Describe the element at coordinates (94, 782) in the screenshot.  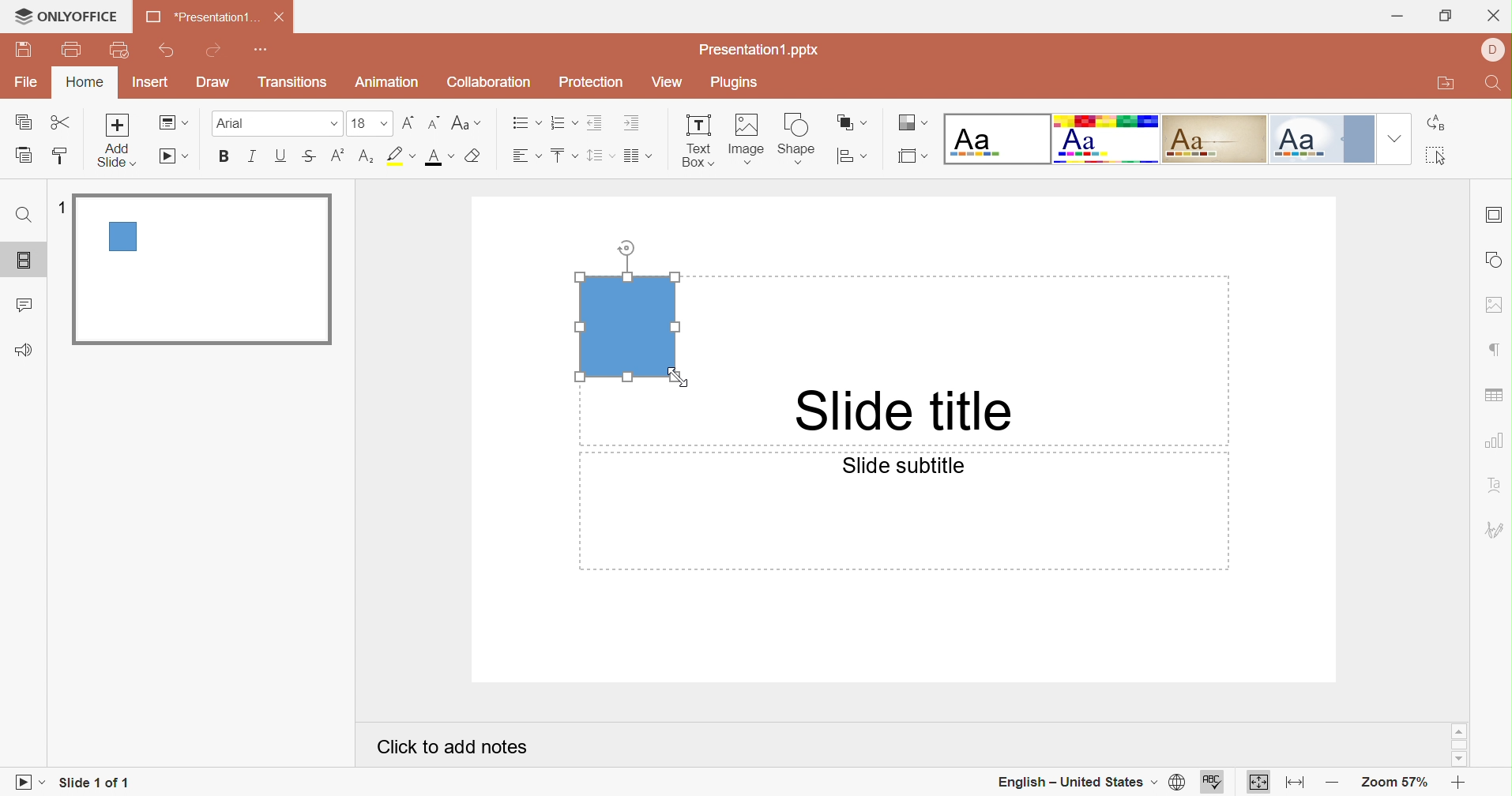
I see `Slide 1 of 1` at that location.